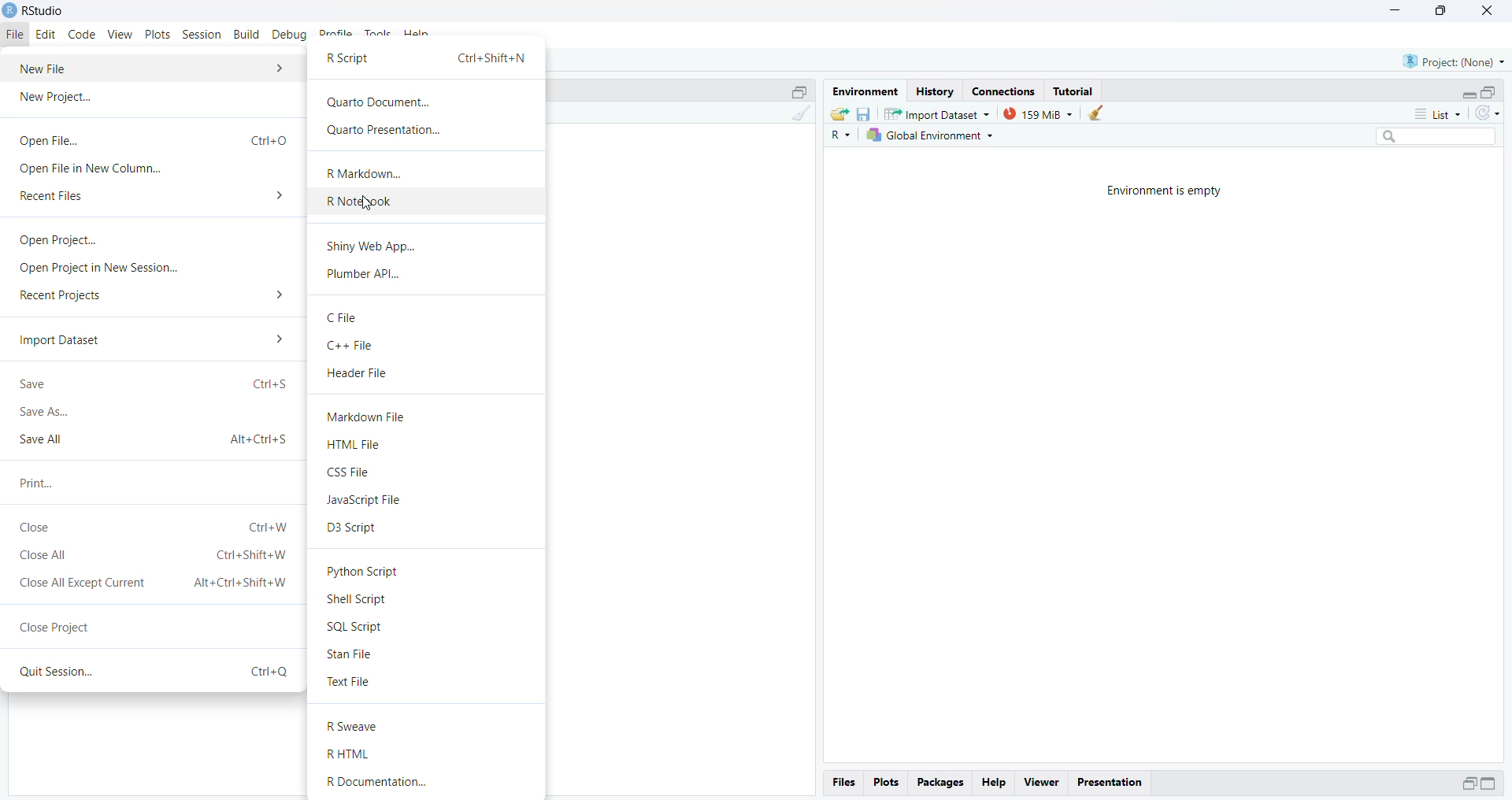  I want to click on JavaScript File, so click(371, 501).